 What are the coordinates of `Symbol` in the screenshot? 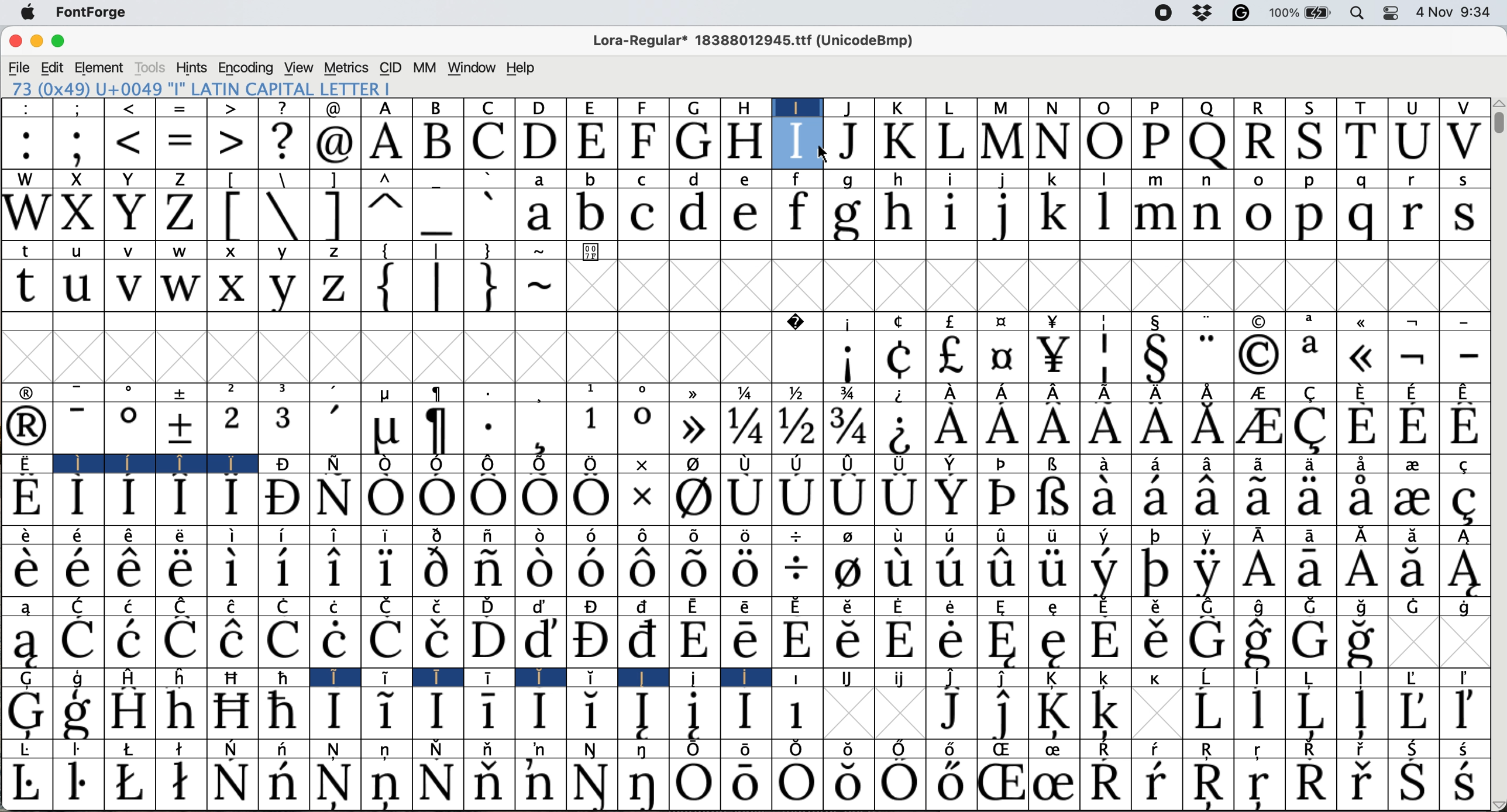 It's located at (1466, 536).